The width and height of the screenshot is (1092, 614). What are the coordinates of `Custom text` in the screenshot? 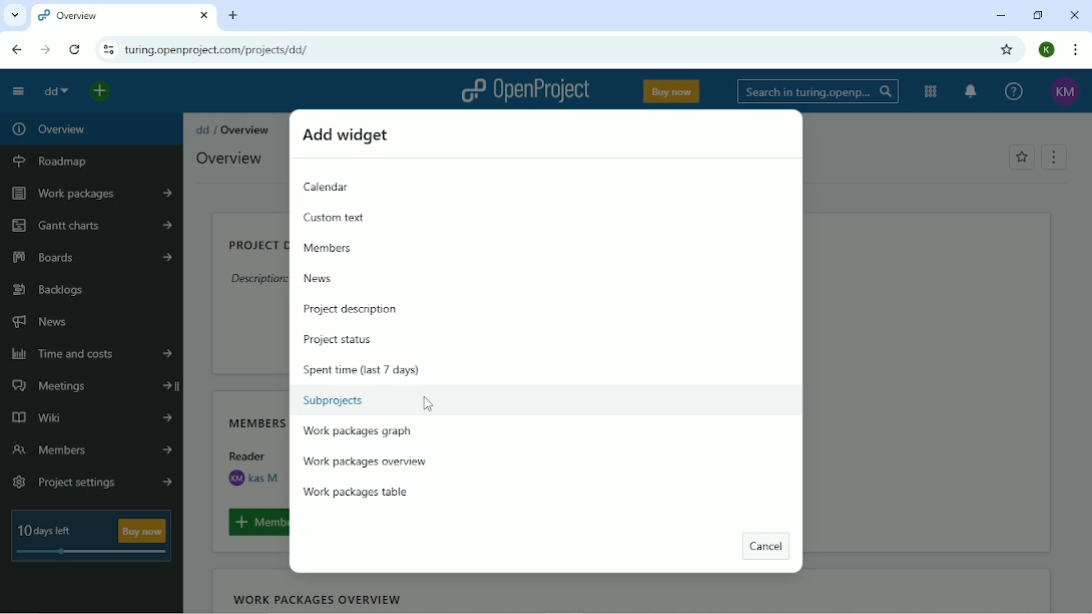 It's located at (339, 218).